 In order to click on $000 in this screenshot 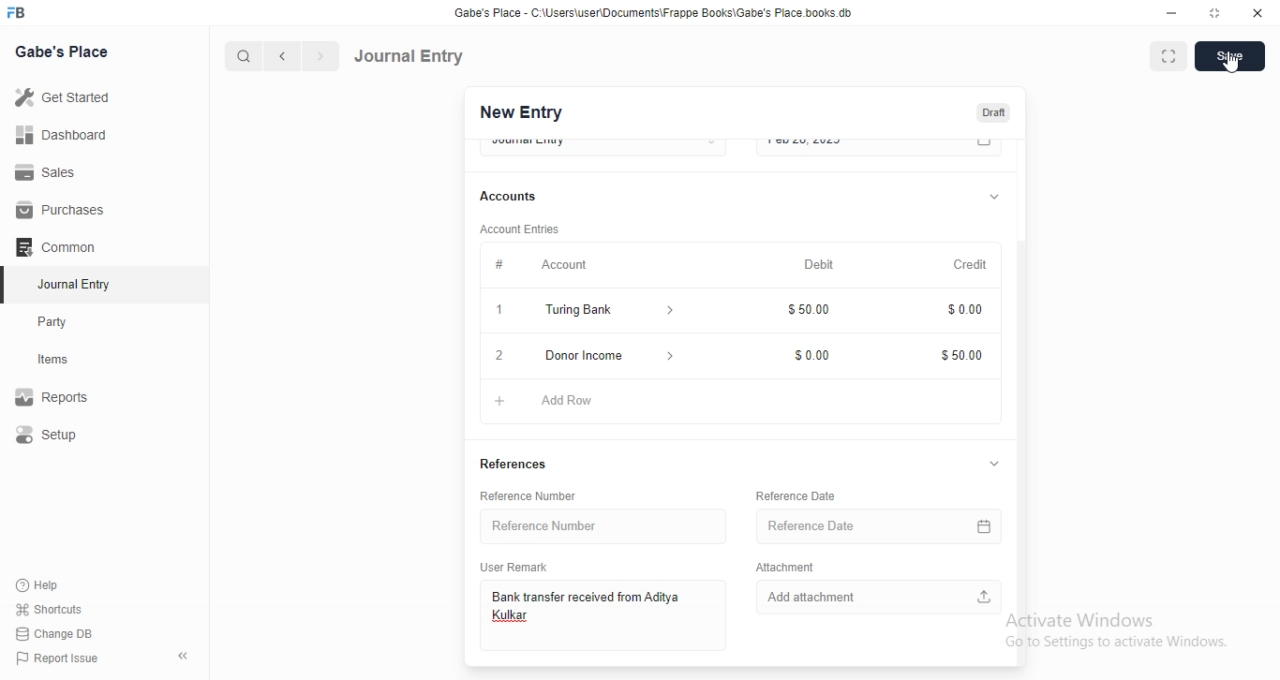, I will do `click(814, 351)`.